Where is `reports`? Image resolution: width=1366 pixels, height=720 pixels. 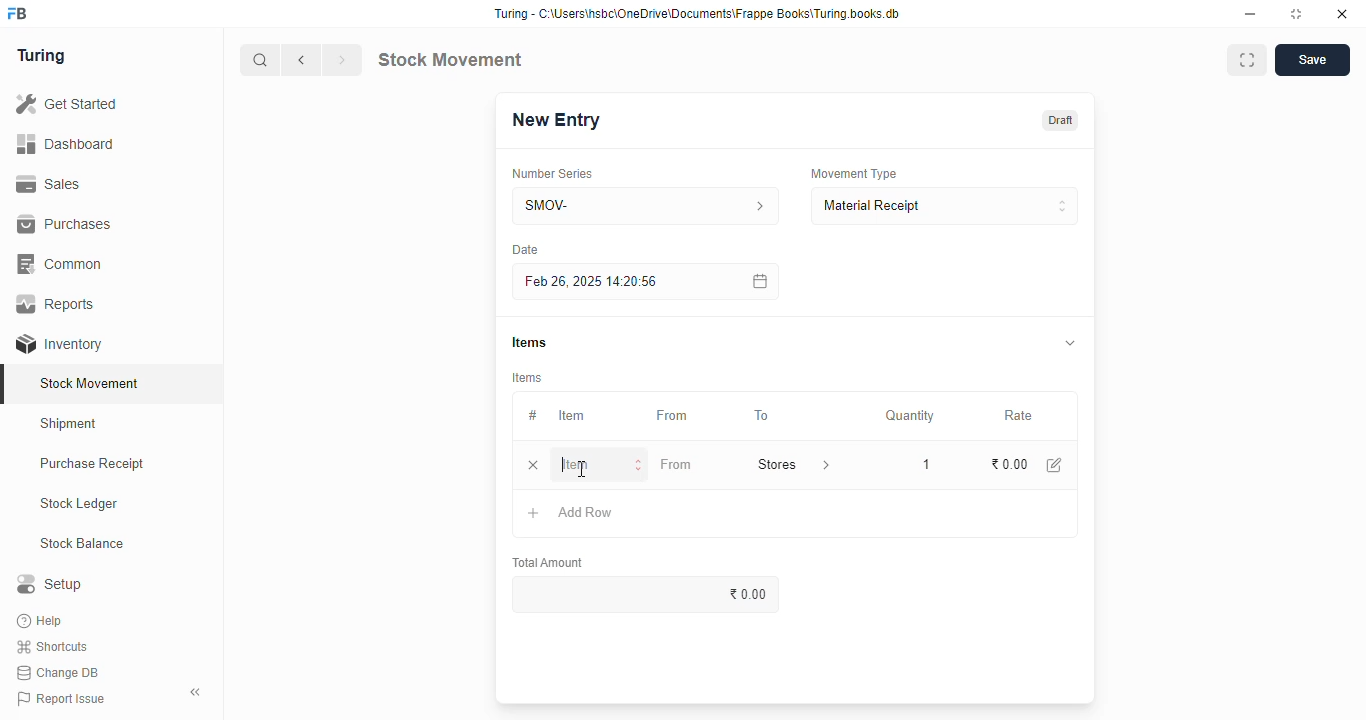
reports is located at coordinates (57, 303).